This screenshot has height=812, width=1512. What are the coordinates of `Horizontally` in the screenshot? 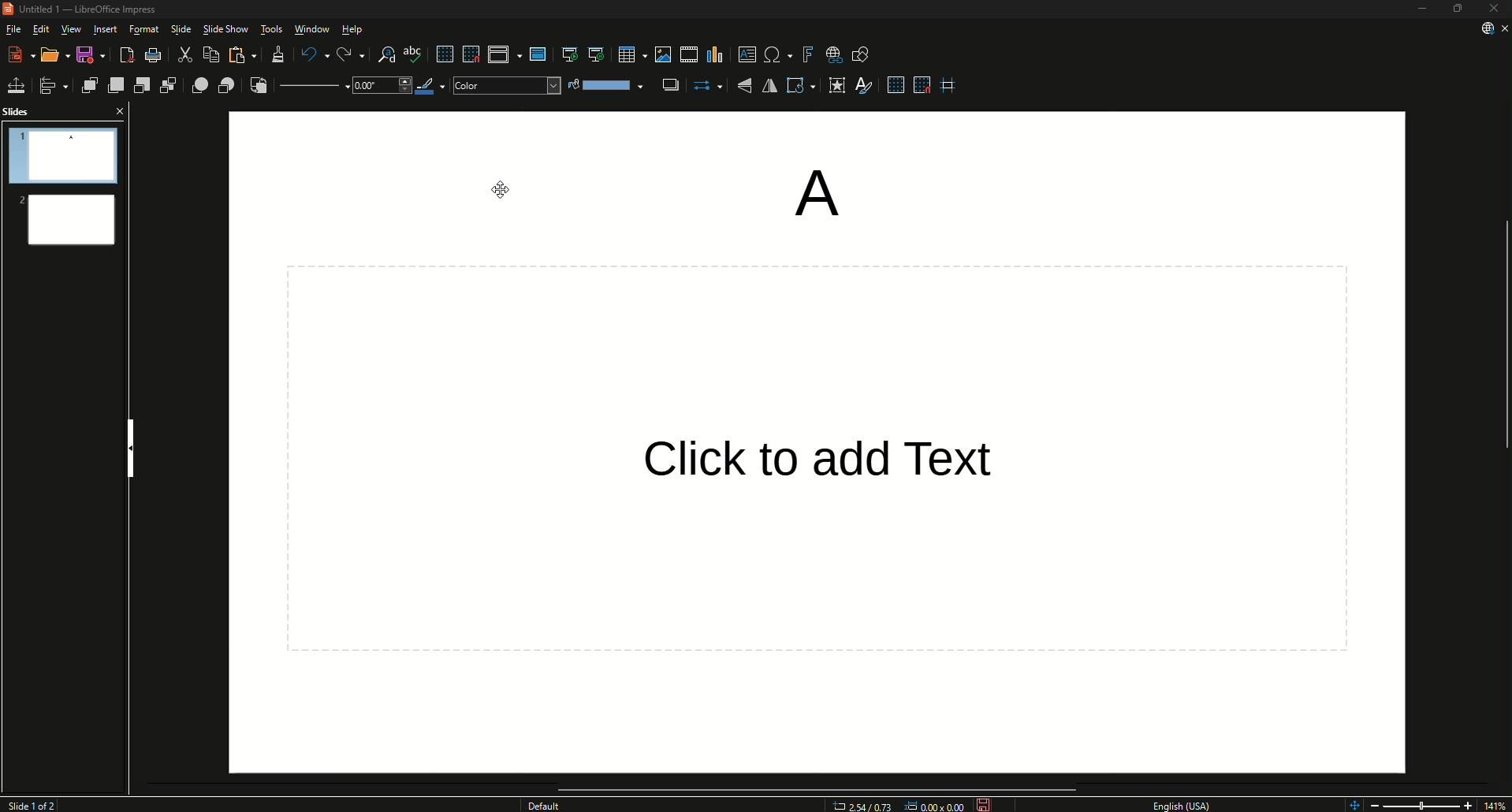 It's located at (773, 85).